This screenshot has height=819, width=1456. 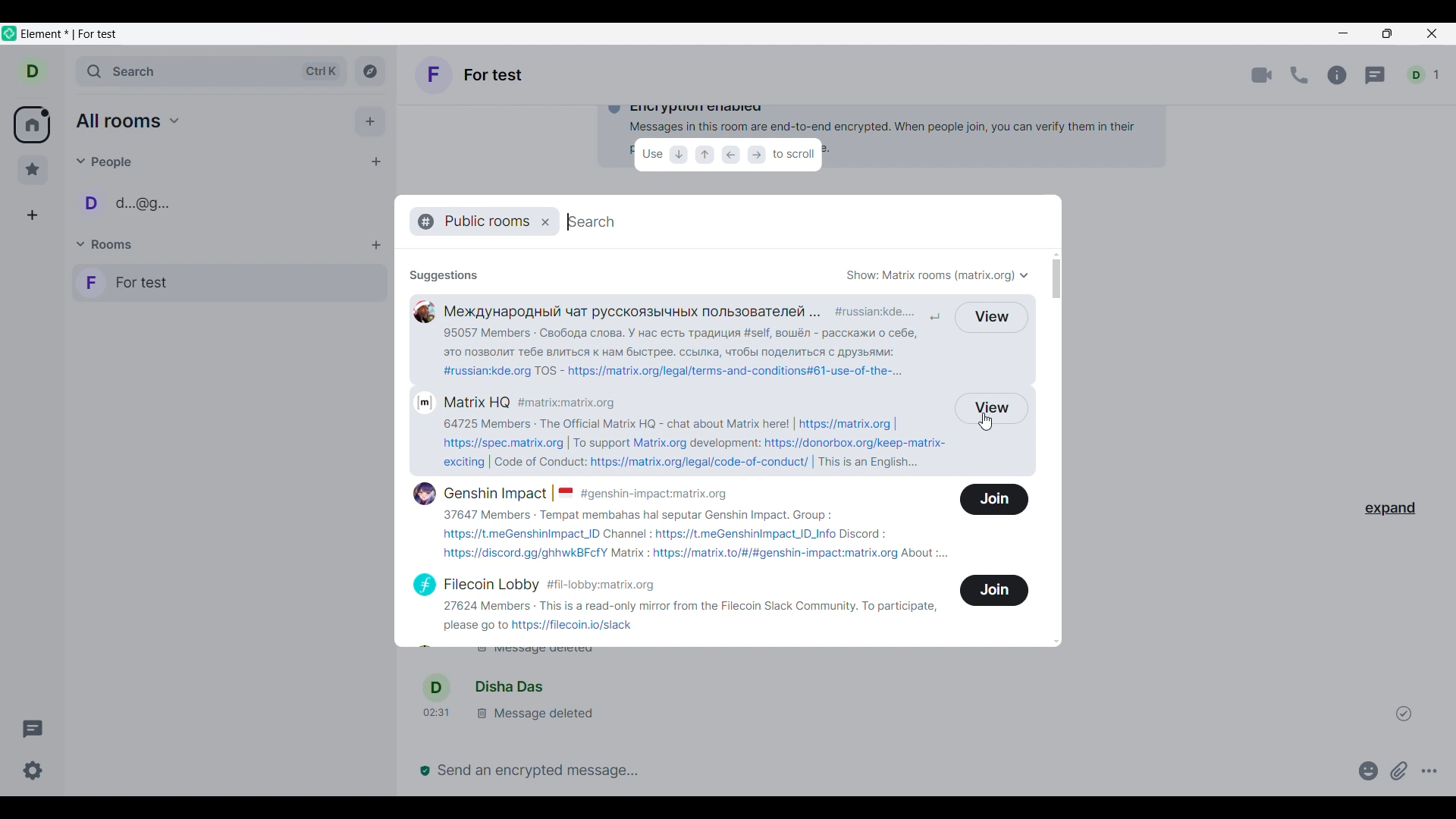 I want to click on down to scroll, so click(x=681, y=155).